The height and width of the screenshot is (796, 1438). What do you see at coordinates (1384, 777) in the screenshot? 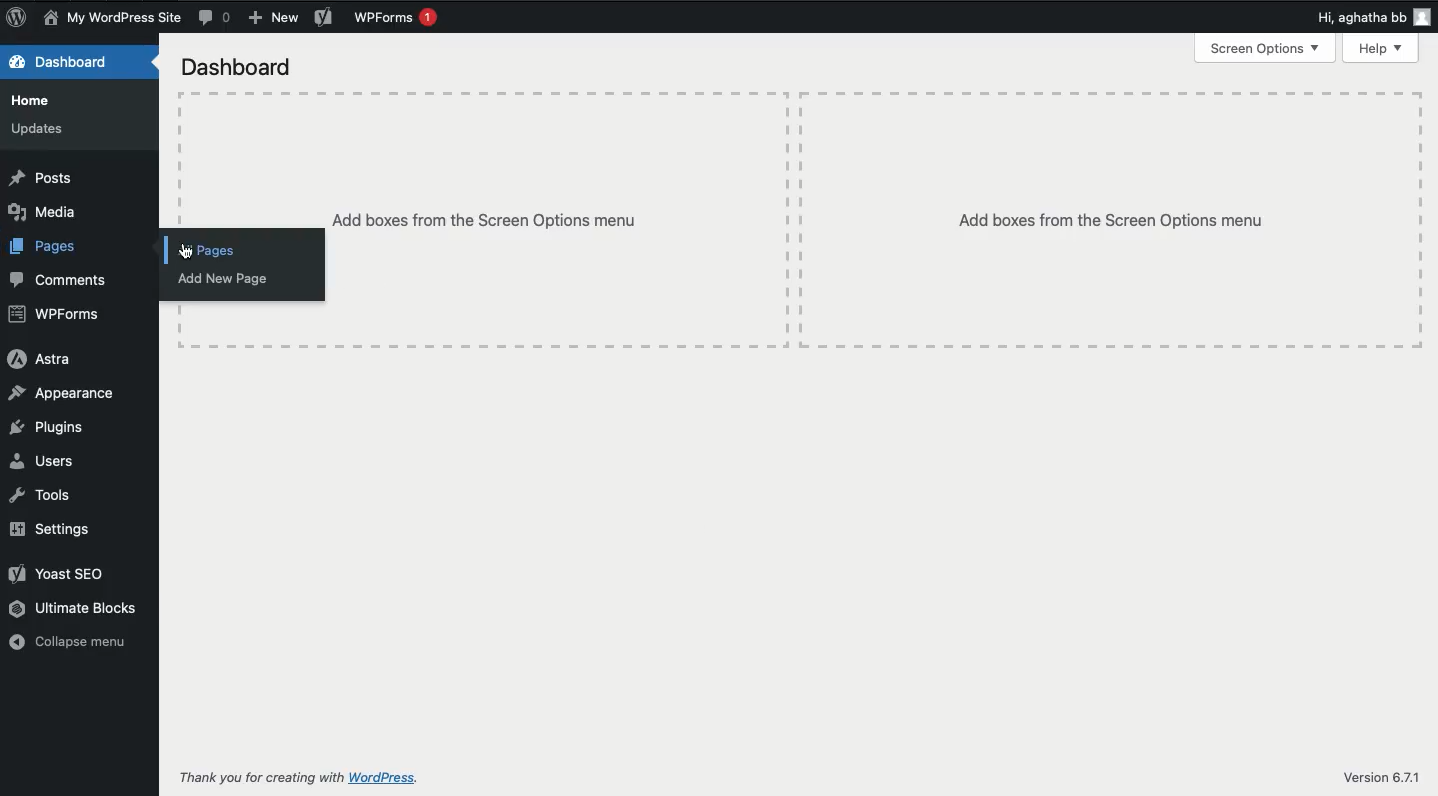
I see `Version 6.7.1` at bounding box center [1384, 777].